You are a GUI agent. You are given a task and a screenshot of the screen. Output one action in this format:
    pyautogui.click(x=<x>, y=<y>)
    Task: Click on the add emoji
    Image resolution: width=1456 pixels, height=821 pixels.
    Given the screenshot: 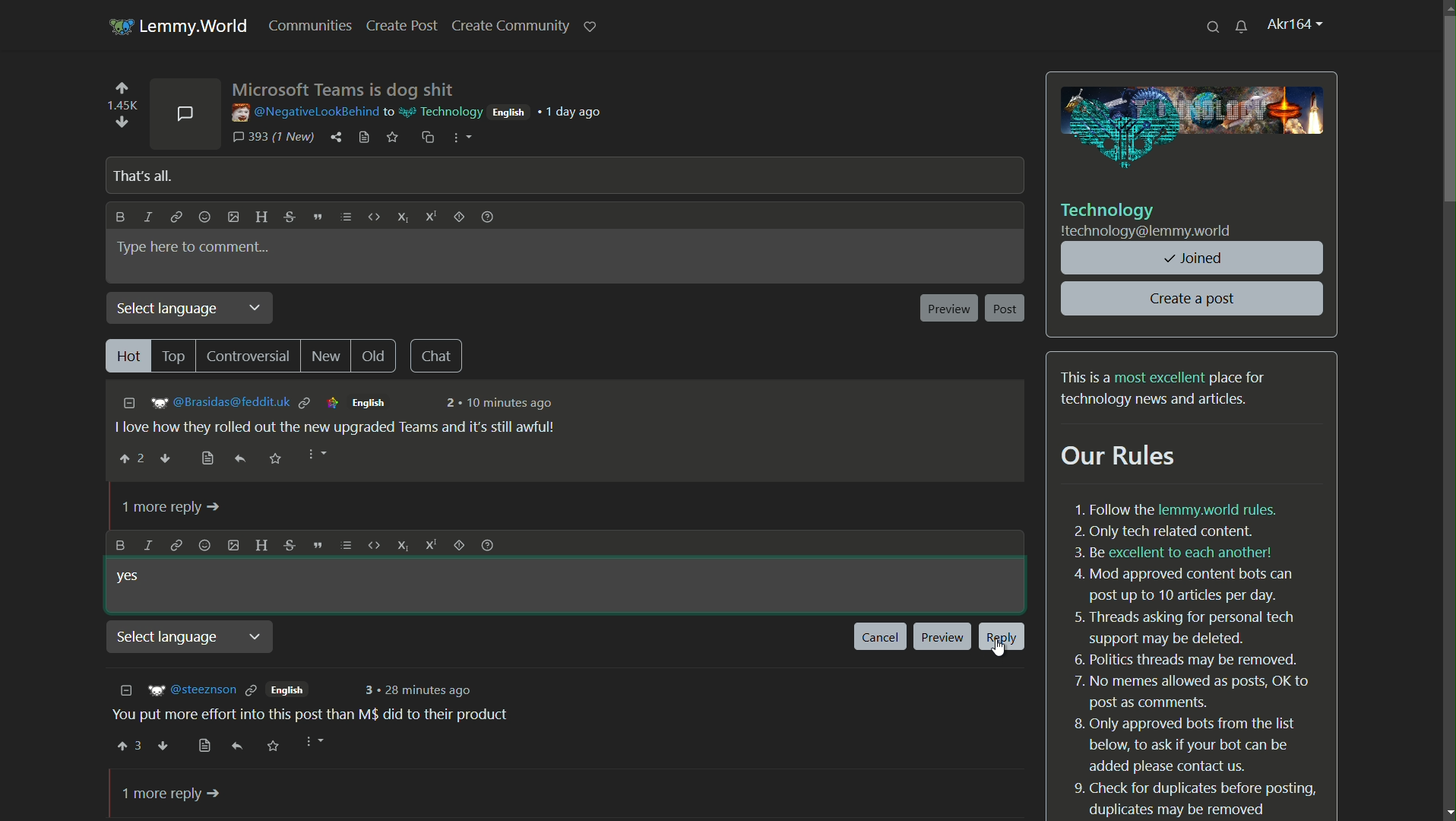 What is the action you would take?
    pyautogui.click(x=204, y=217)
    